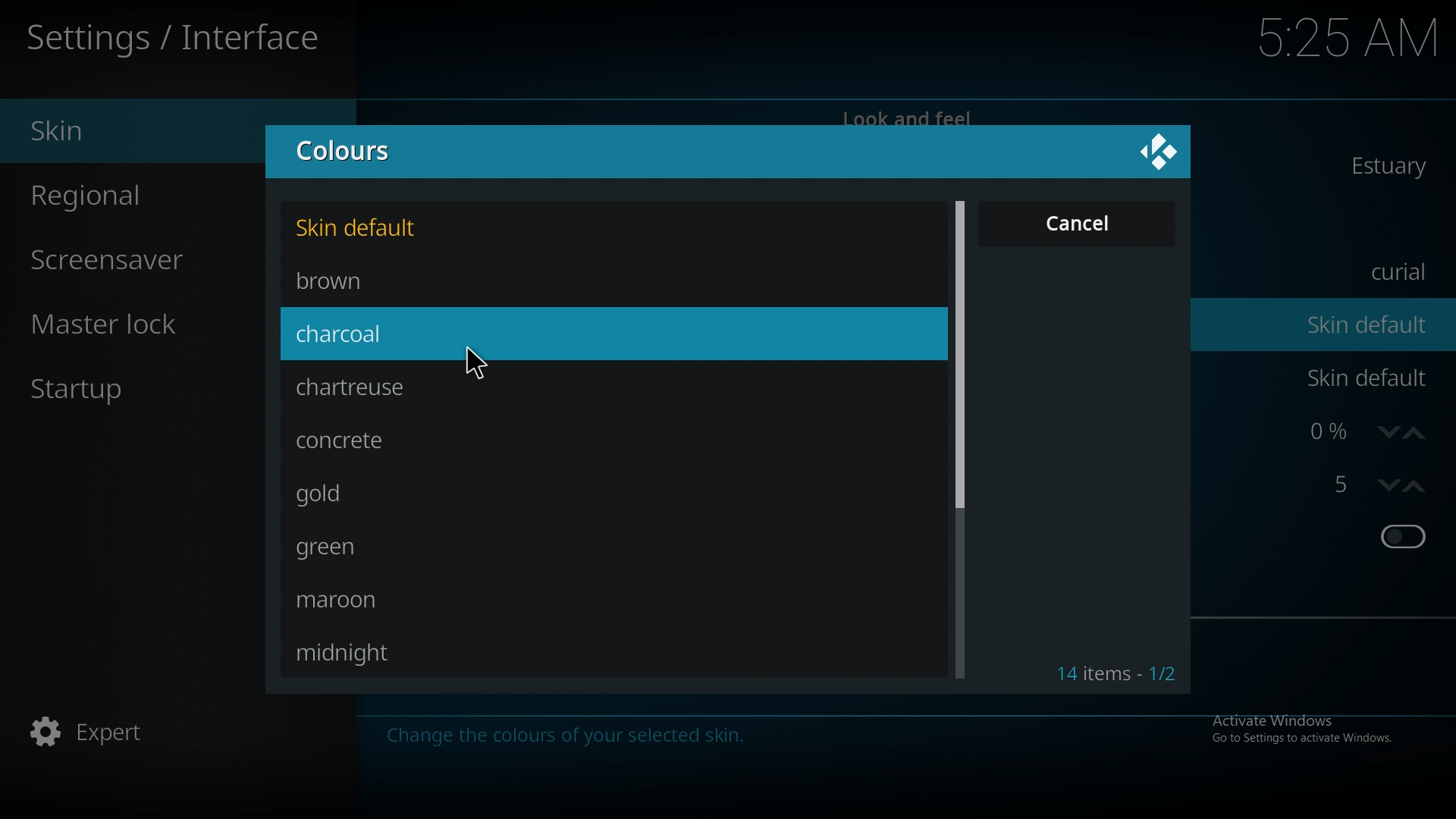 Image resolution: width=1456 pixels, height=819 pixels. What do you see at coordinates (356, 441) in the screenshot?
I see `concrete` at bounding box center [356, 441].